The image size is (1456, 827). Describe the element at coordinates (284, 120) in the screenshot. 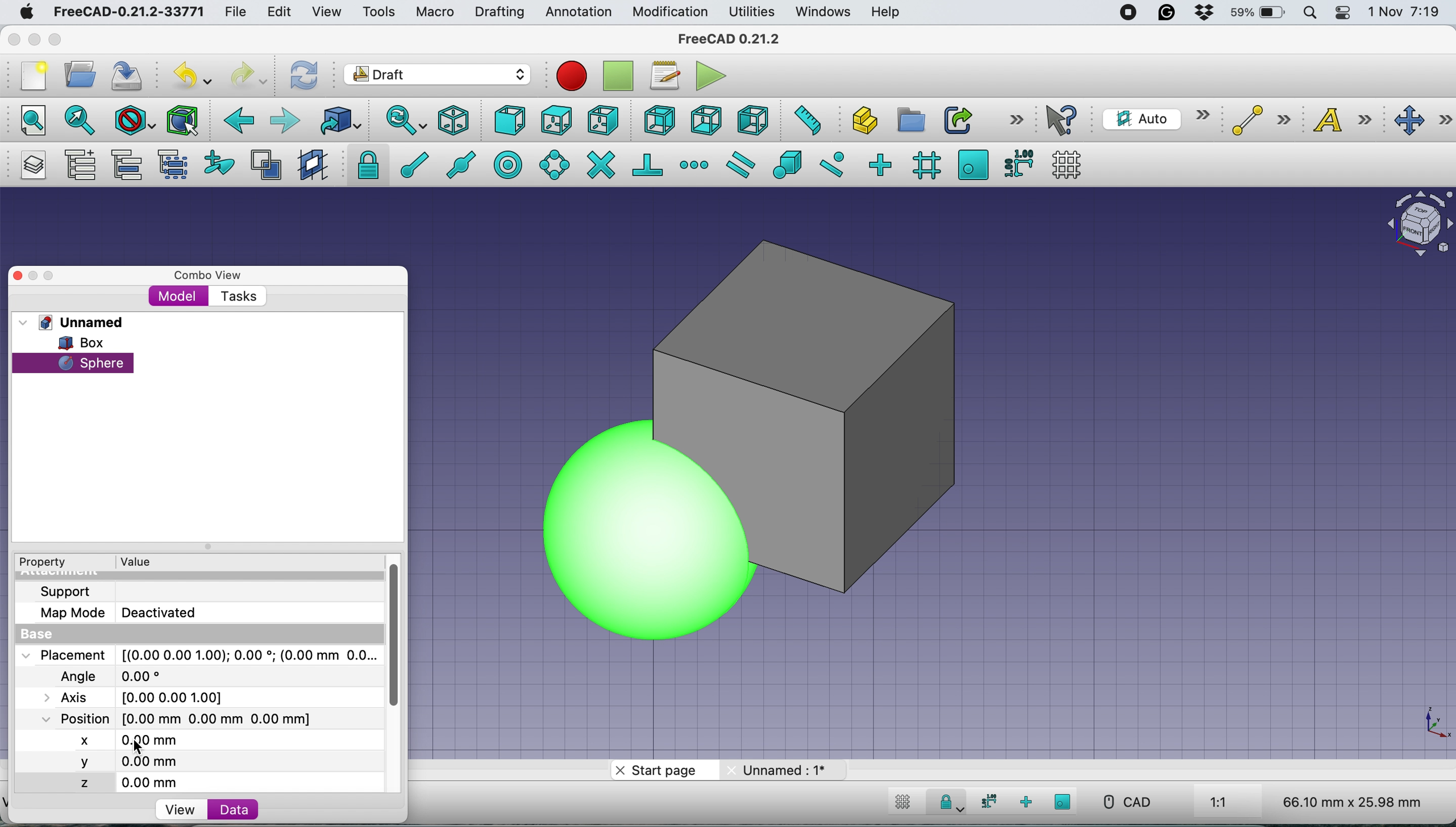

I see `forward` at that location.